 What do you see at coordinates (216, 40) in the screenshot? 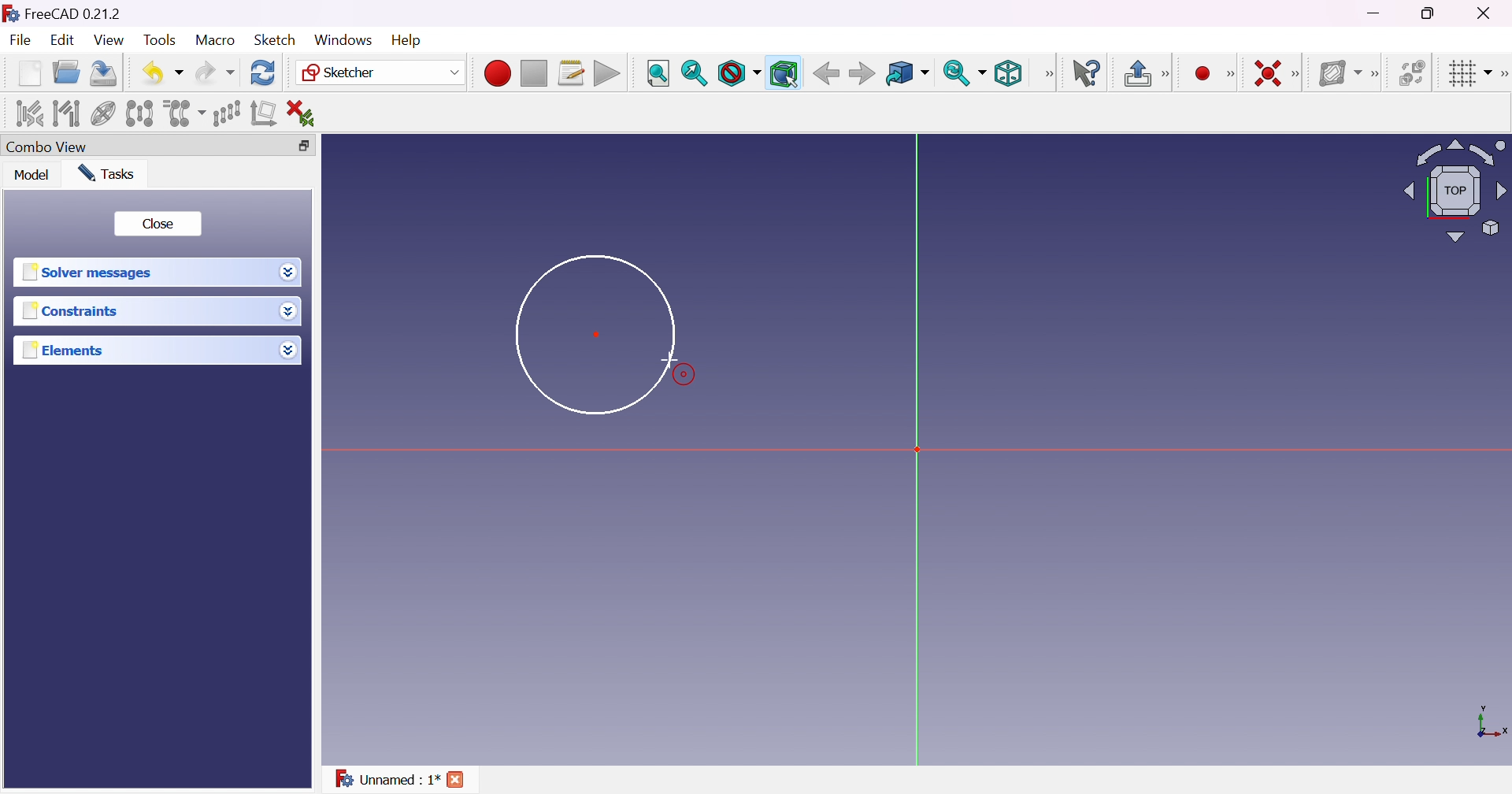
I see `Macro` at bounding box center [216, 40].